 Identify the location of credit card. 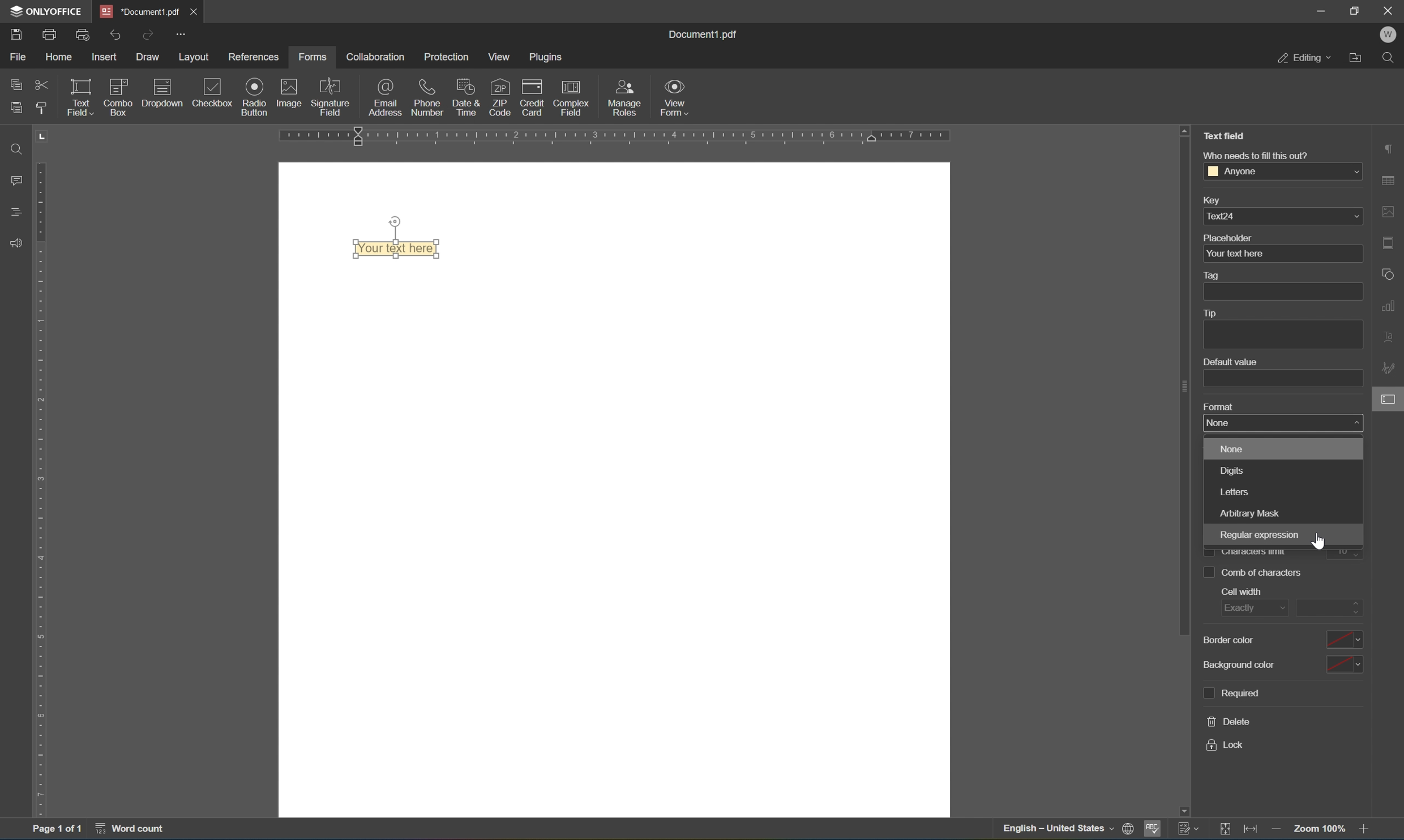
(532, 100).